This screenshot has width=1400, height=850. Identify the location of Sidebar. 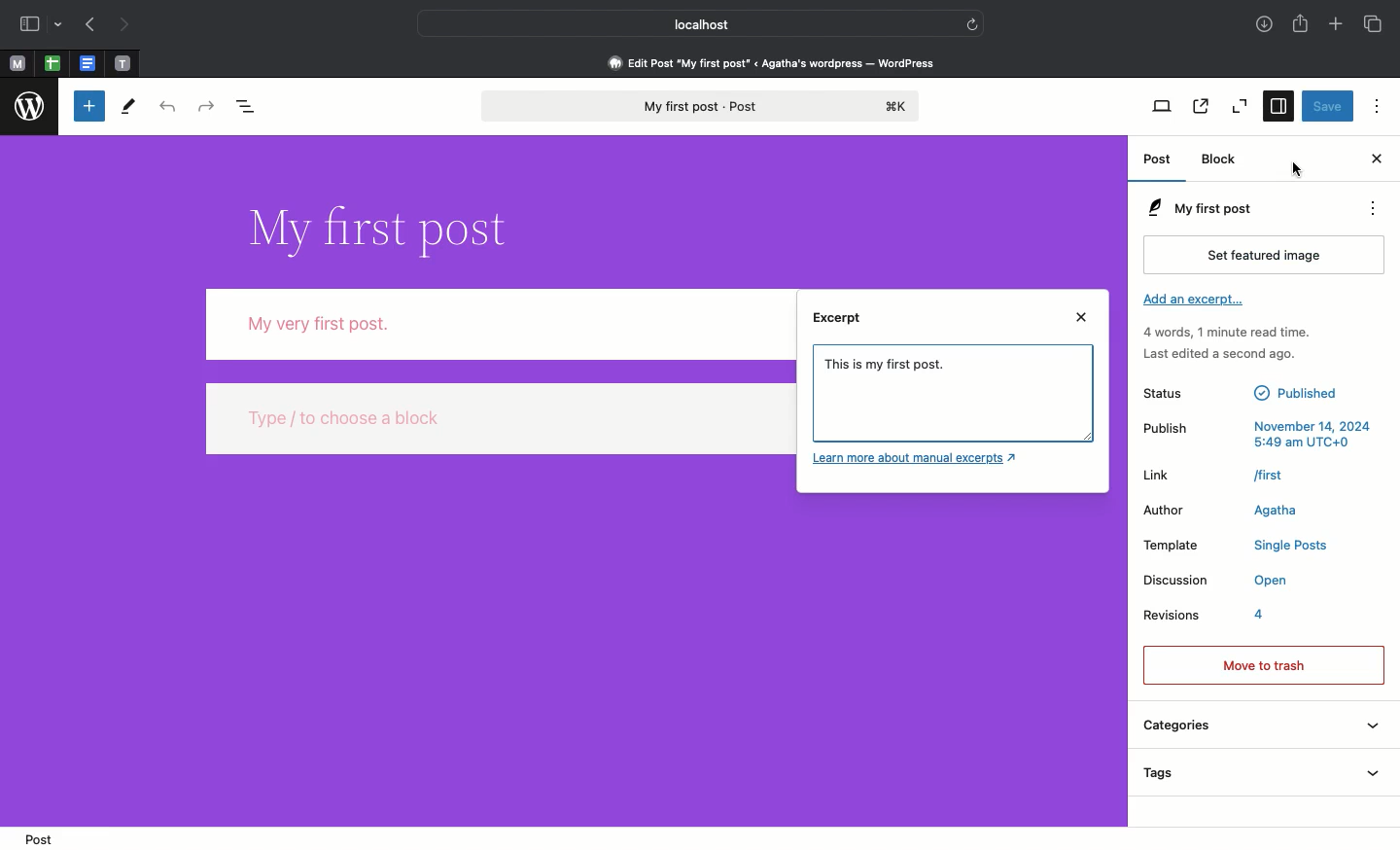
(42, 25).